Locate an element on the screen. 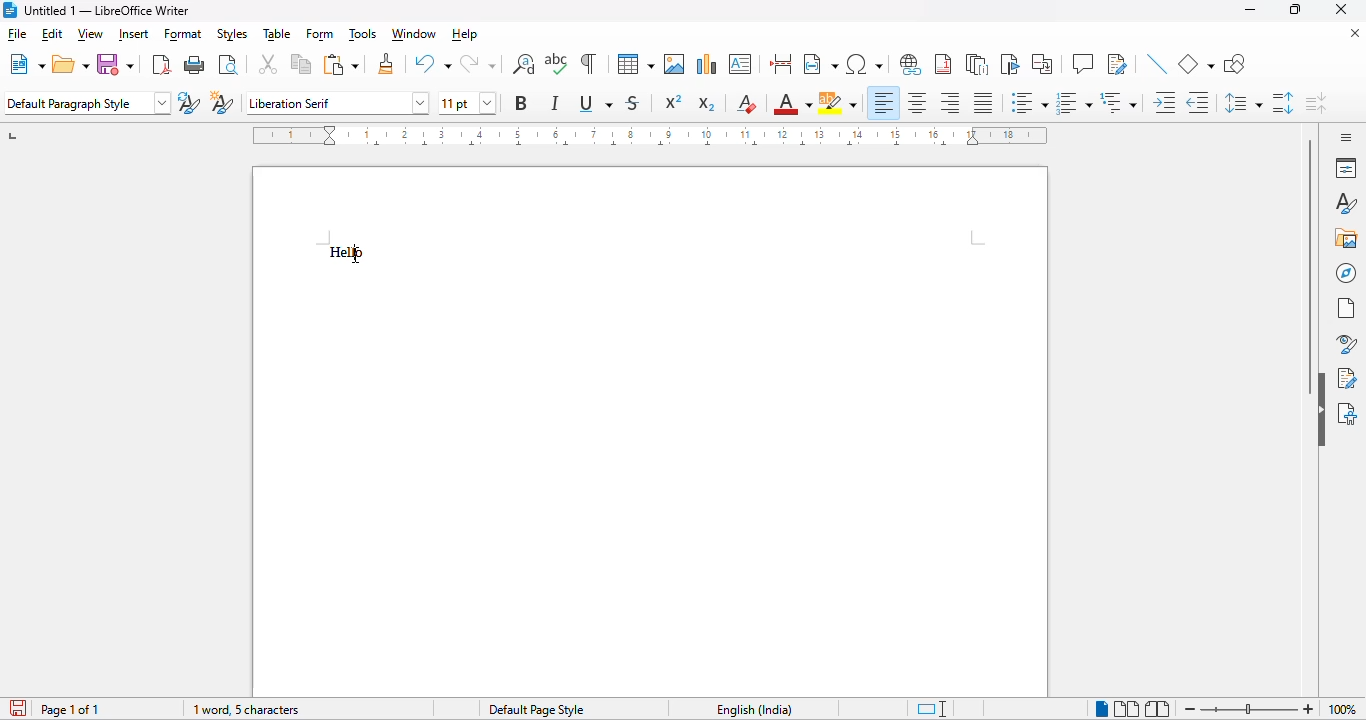 Image resolution: width=1366 pixels, height=720 pixels. single-page view is located at coordinates (1102, 710).